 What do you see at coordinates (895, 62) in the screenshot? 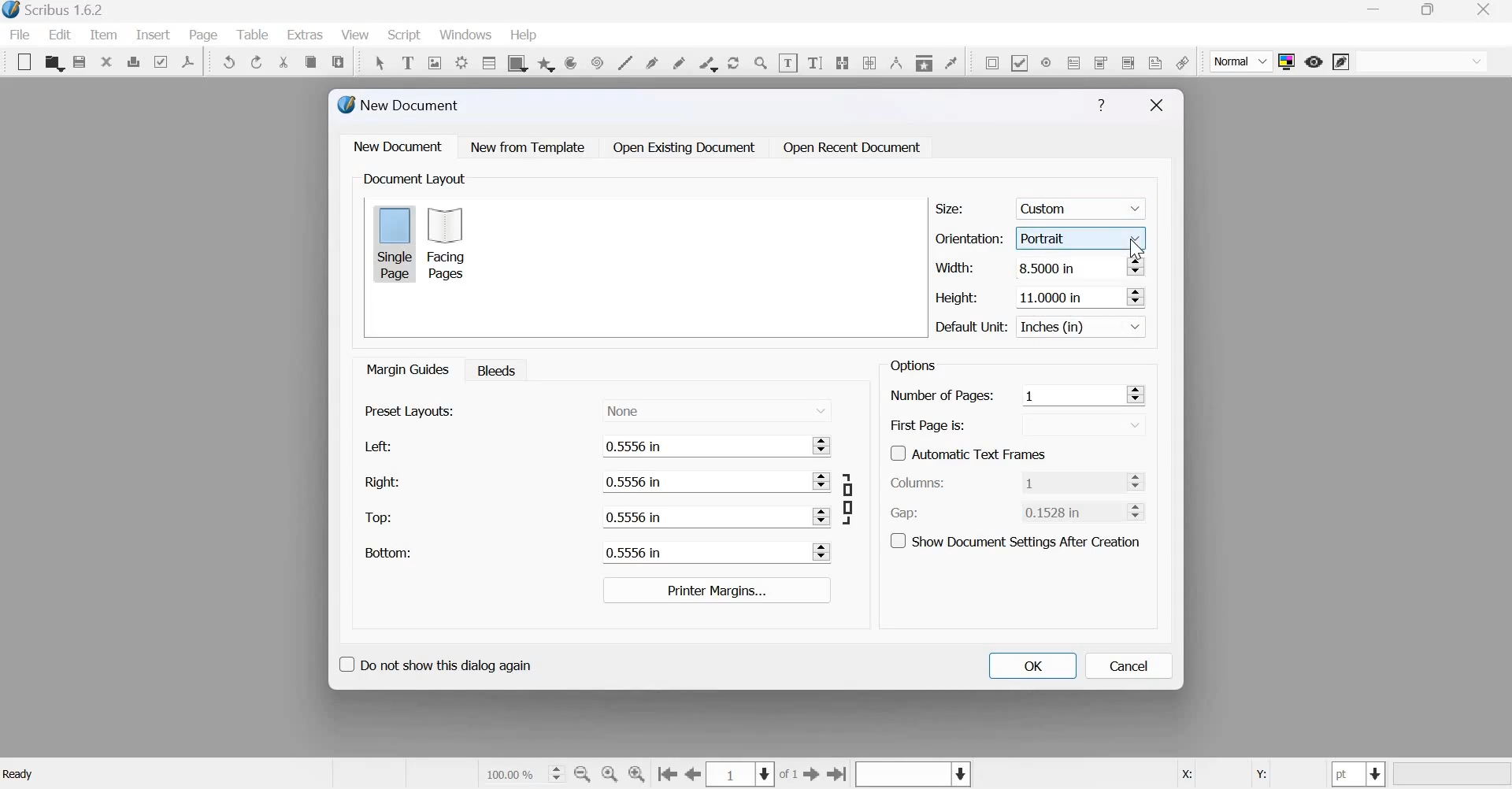
I see `Measurements` at bounding box center [895, 62].